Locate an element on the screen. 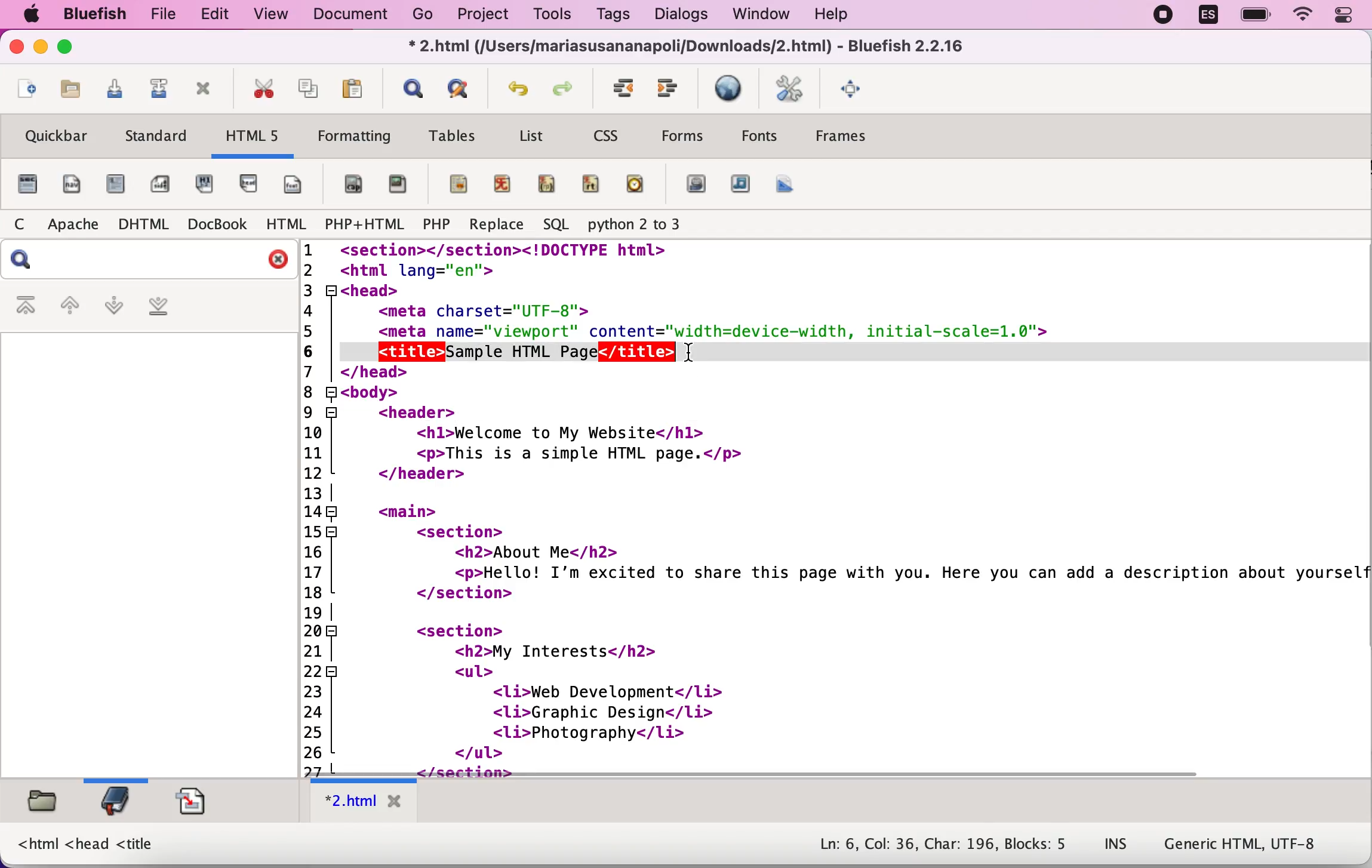 The width and height of the screenshot is (1372, 868). list is located at coordinates (536, 135).